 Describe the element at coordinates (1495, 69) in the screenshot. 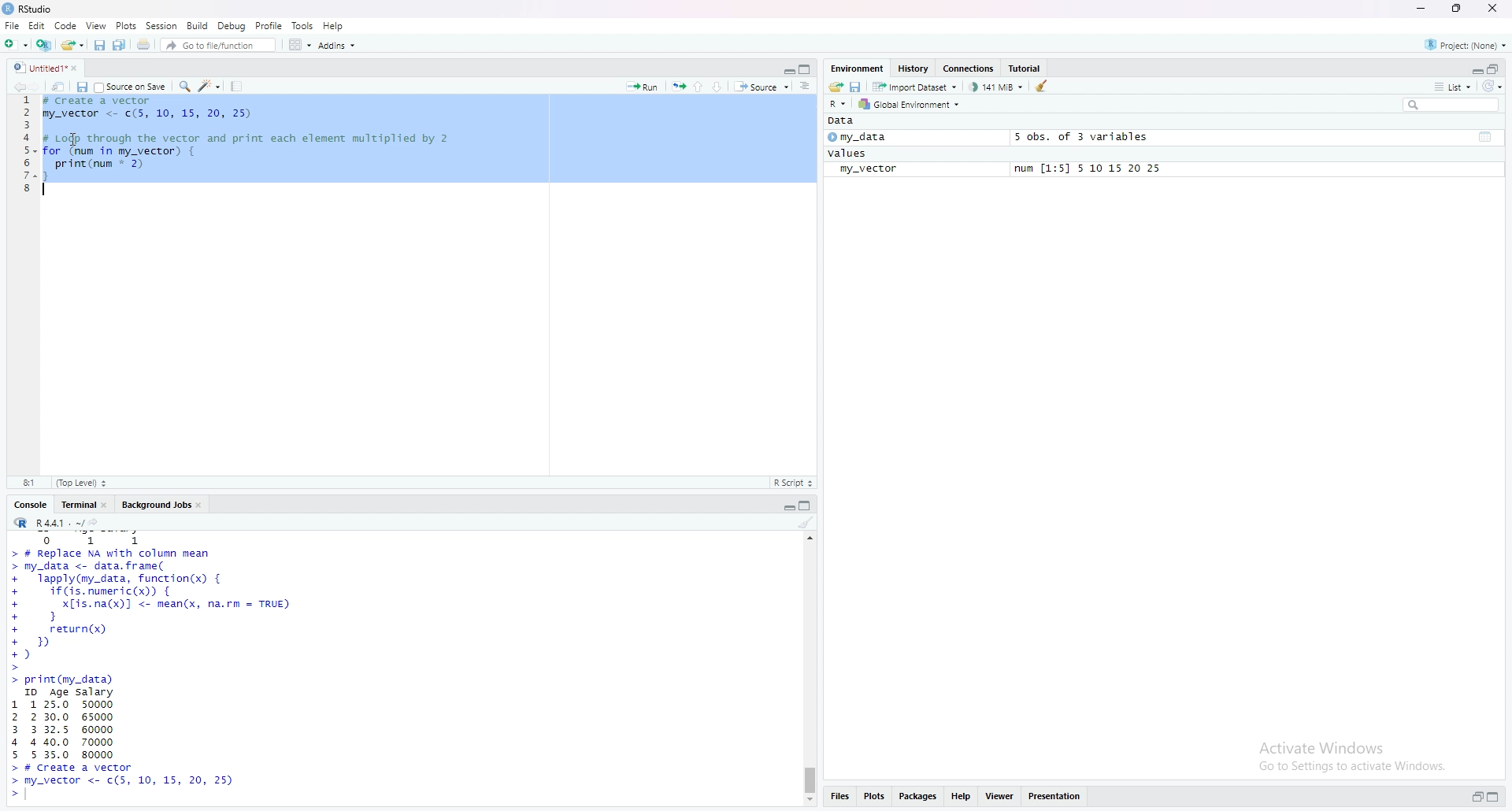

I see `collapse` at that location.